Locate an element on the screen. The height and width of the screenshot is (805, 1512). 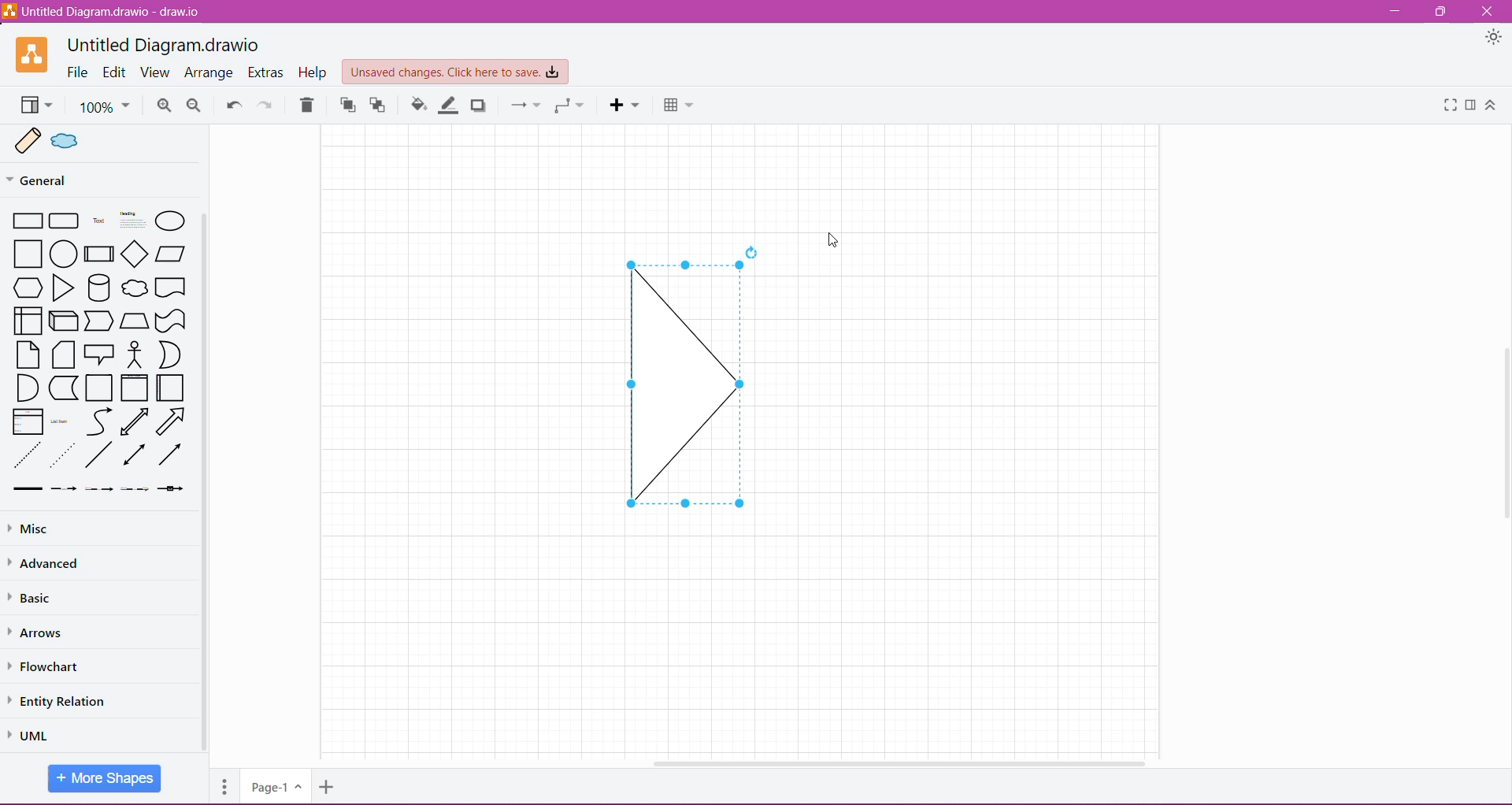
Close is located at coordinates (1492, 10).